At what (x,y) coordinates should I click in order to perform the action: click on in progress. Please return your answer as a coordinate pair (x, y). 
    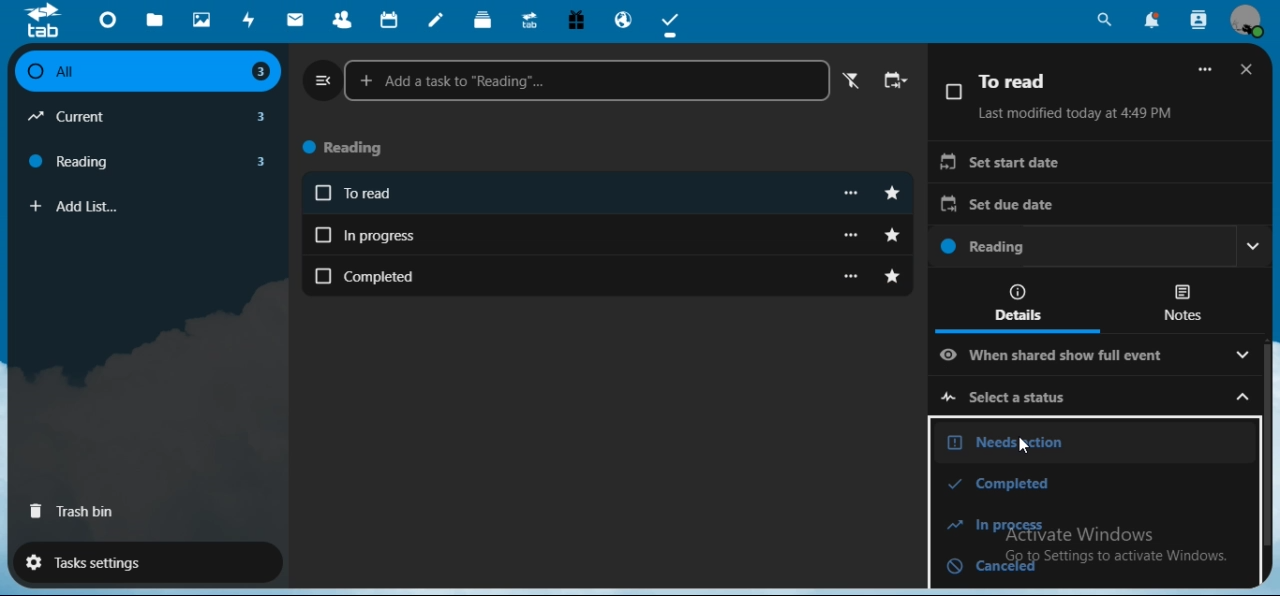
    Looking at the image, I should click on (585, 235).